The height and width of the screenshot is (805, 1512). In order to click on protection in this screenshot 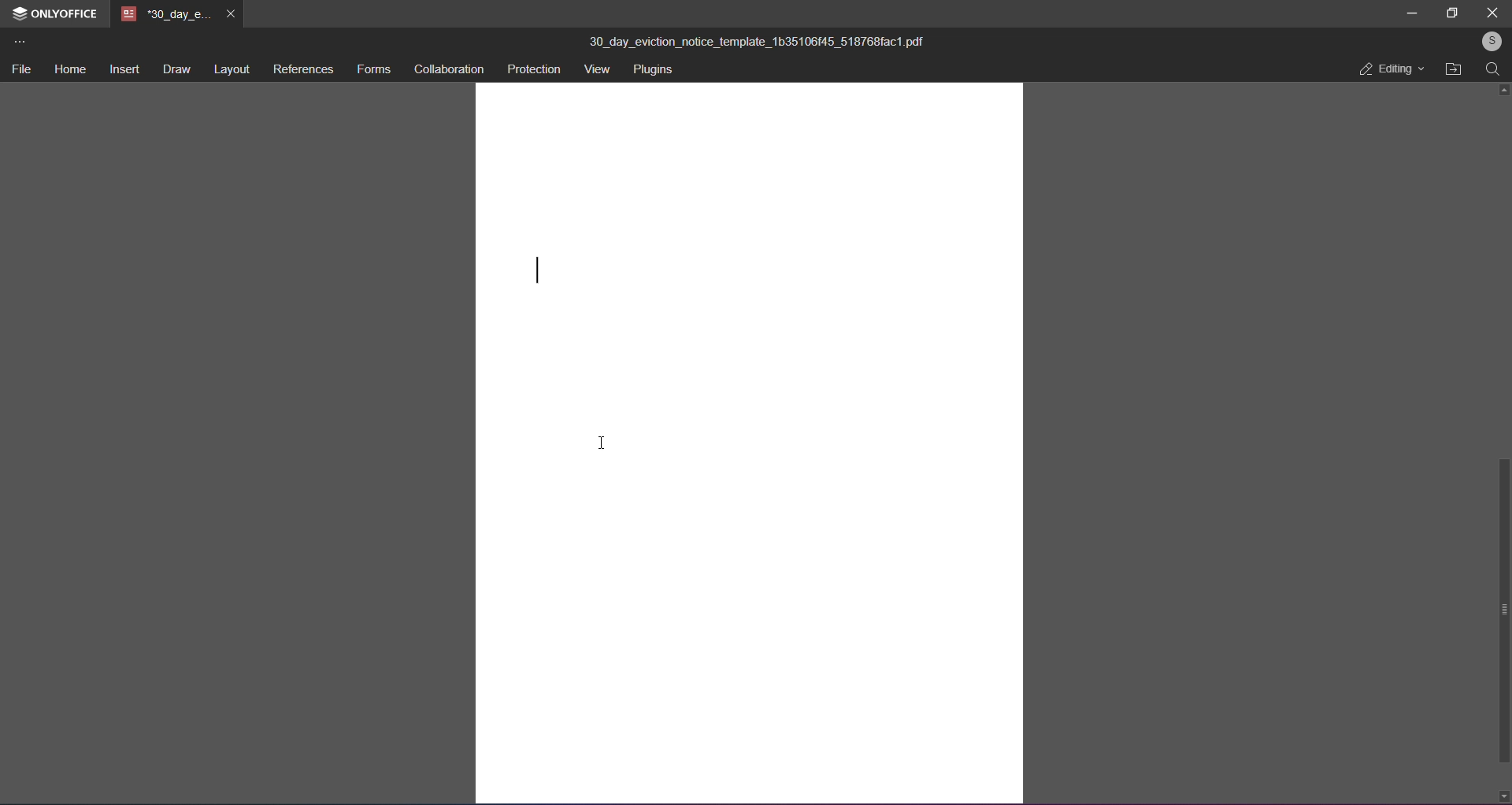, I will do `click(535, 69)`.